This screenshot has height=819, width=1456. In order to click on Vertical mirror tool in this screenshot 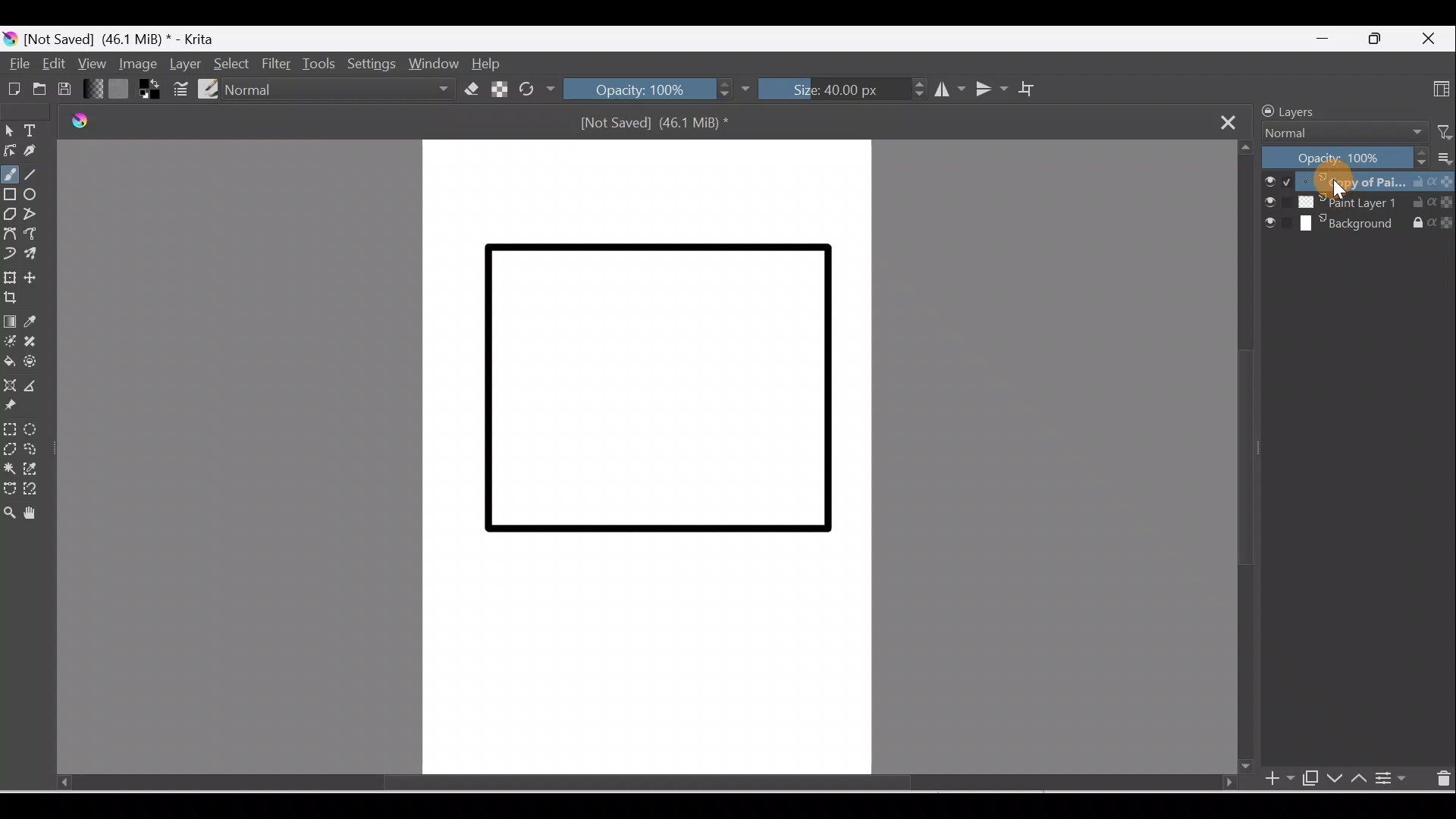, I will do `click(990, 89)`.